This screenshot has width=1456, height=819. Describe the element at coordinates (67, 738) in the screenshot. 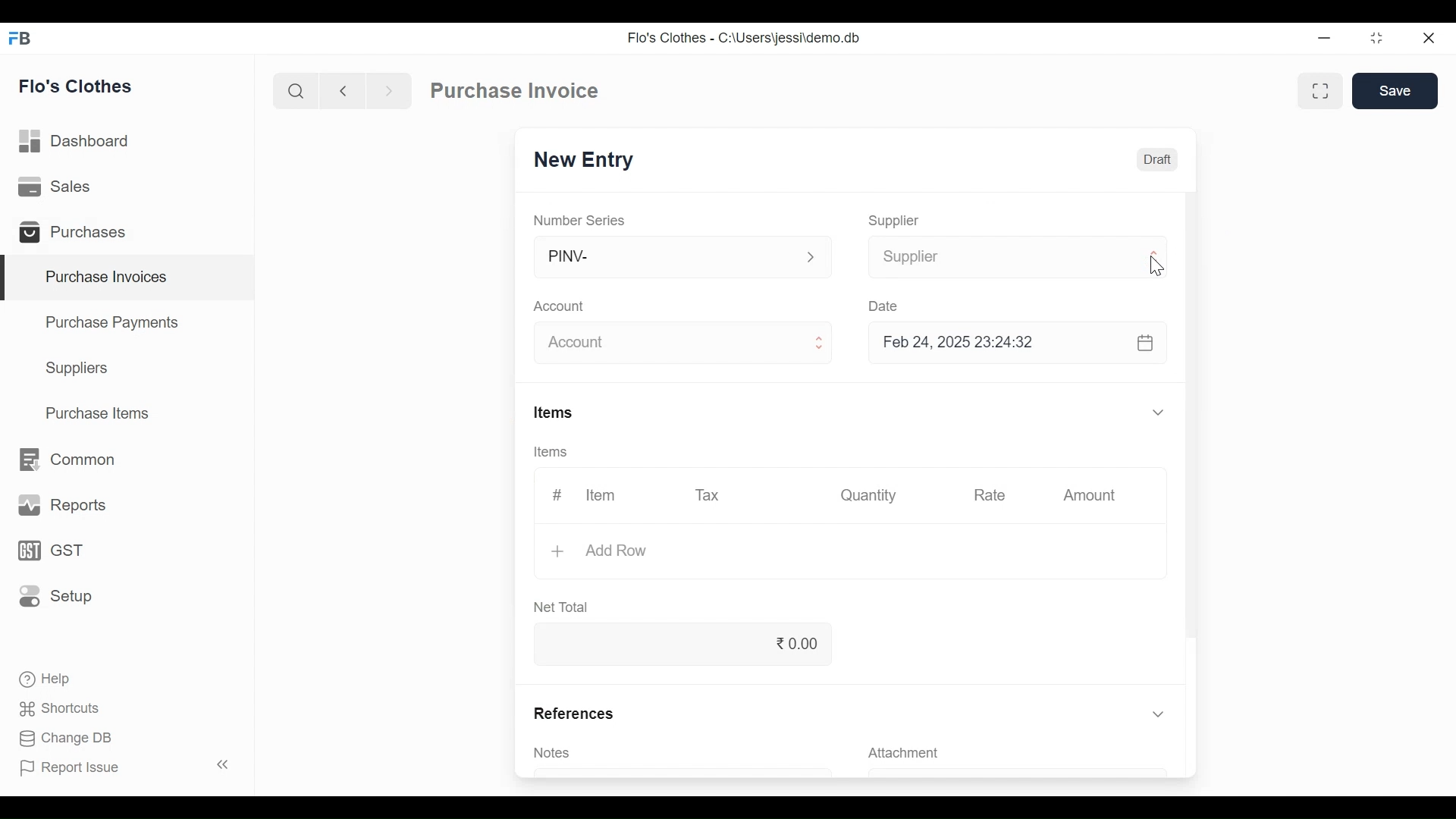

I see `Change DB` at that location.